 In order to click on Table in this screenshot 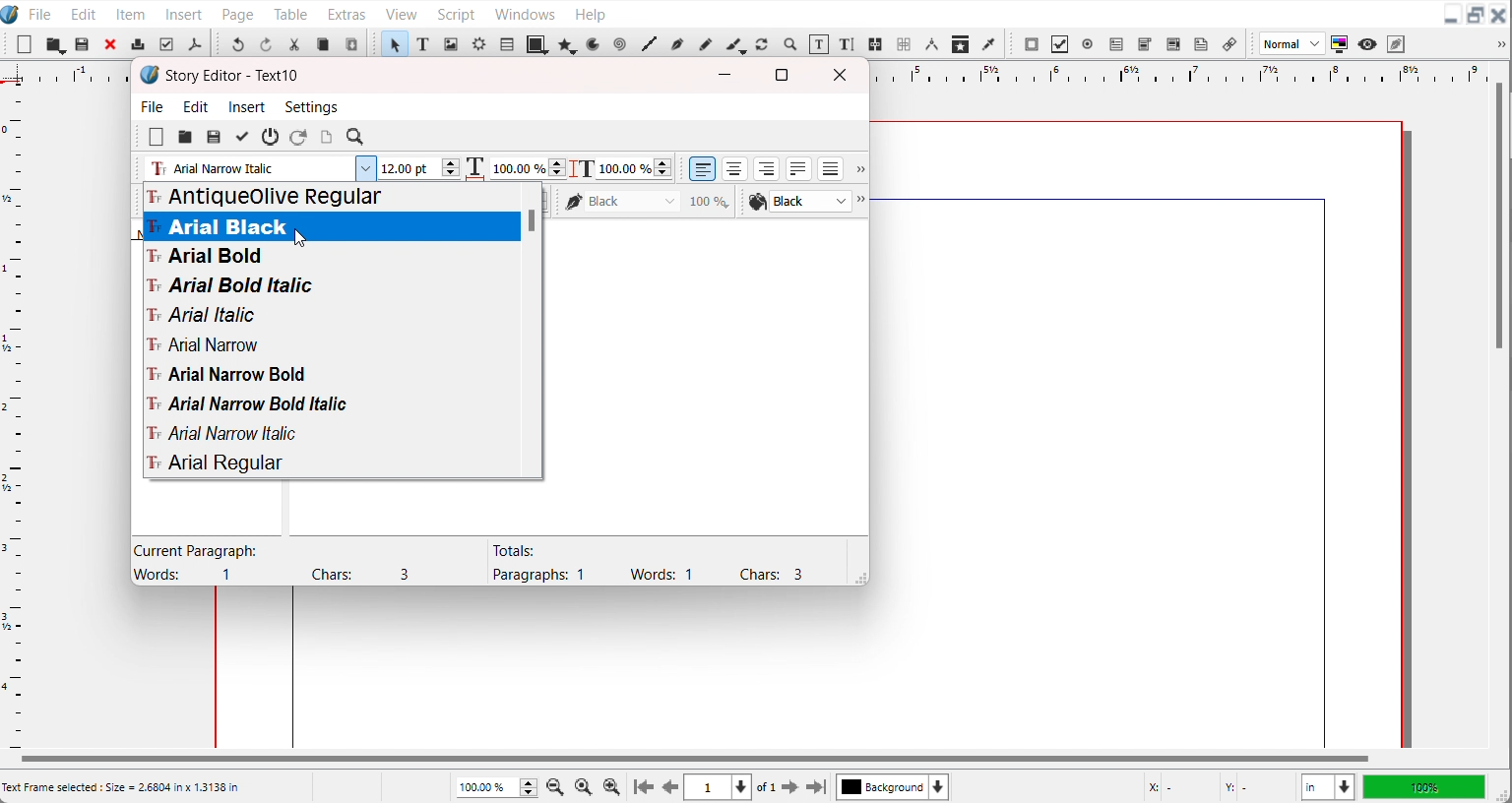, I will do `click(291, 13)`.